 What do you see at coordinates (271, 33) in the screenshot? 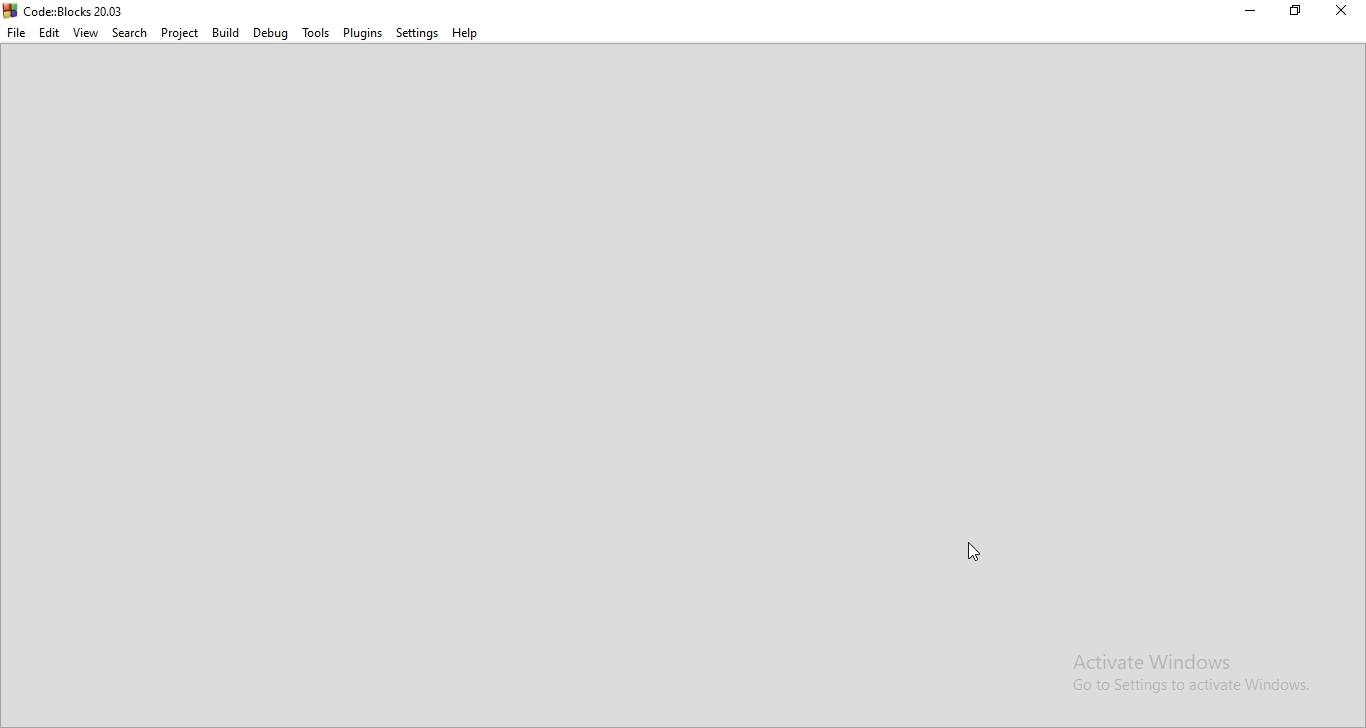
I see `Debug ` at bounding box center [271, 33].